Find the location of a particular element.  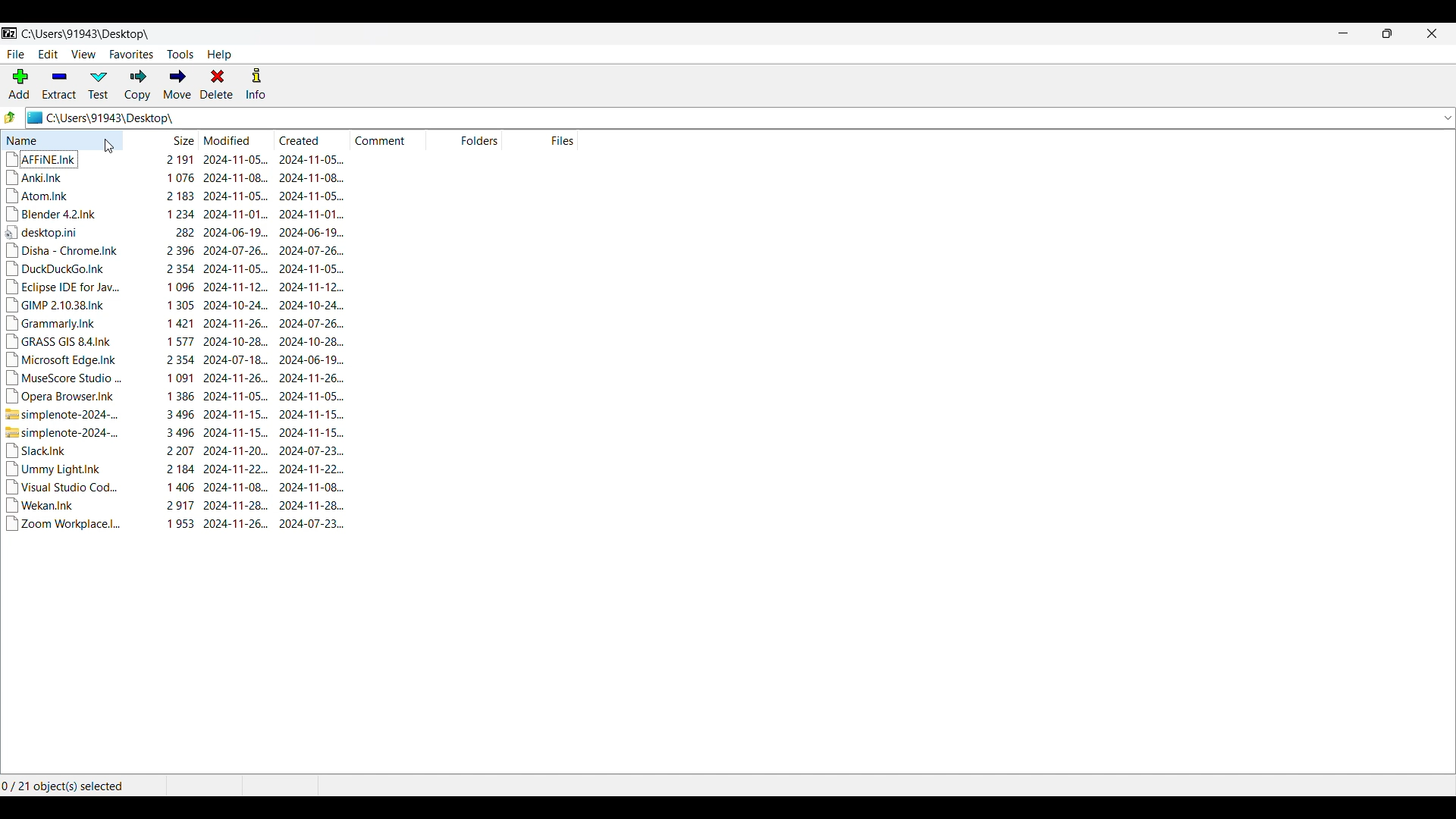

Minimize is located at coordinates (1343, 33).